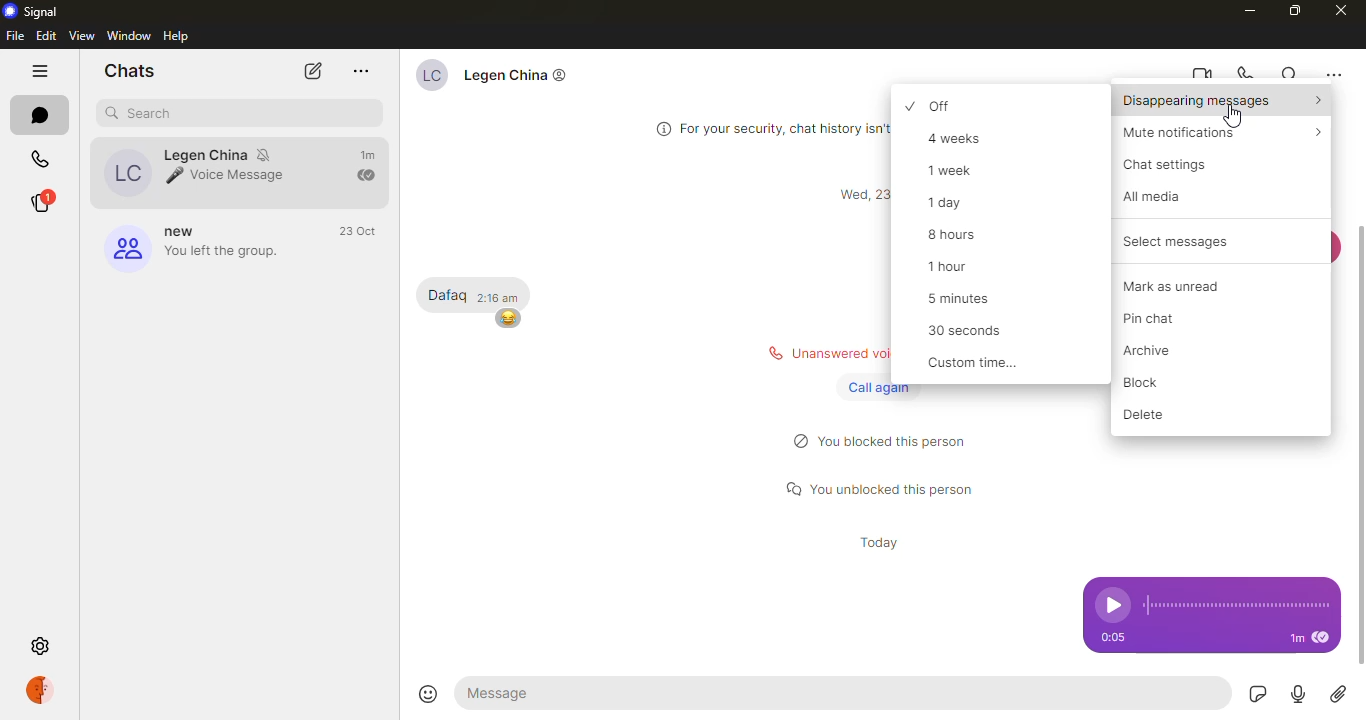  Describe the element at coordinates (974, 364) in the screenshot. I see `custom time` at that location.